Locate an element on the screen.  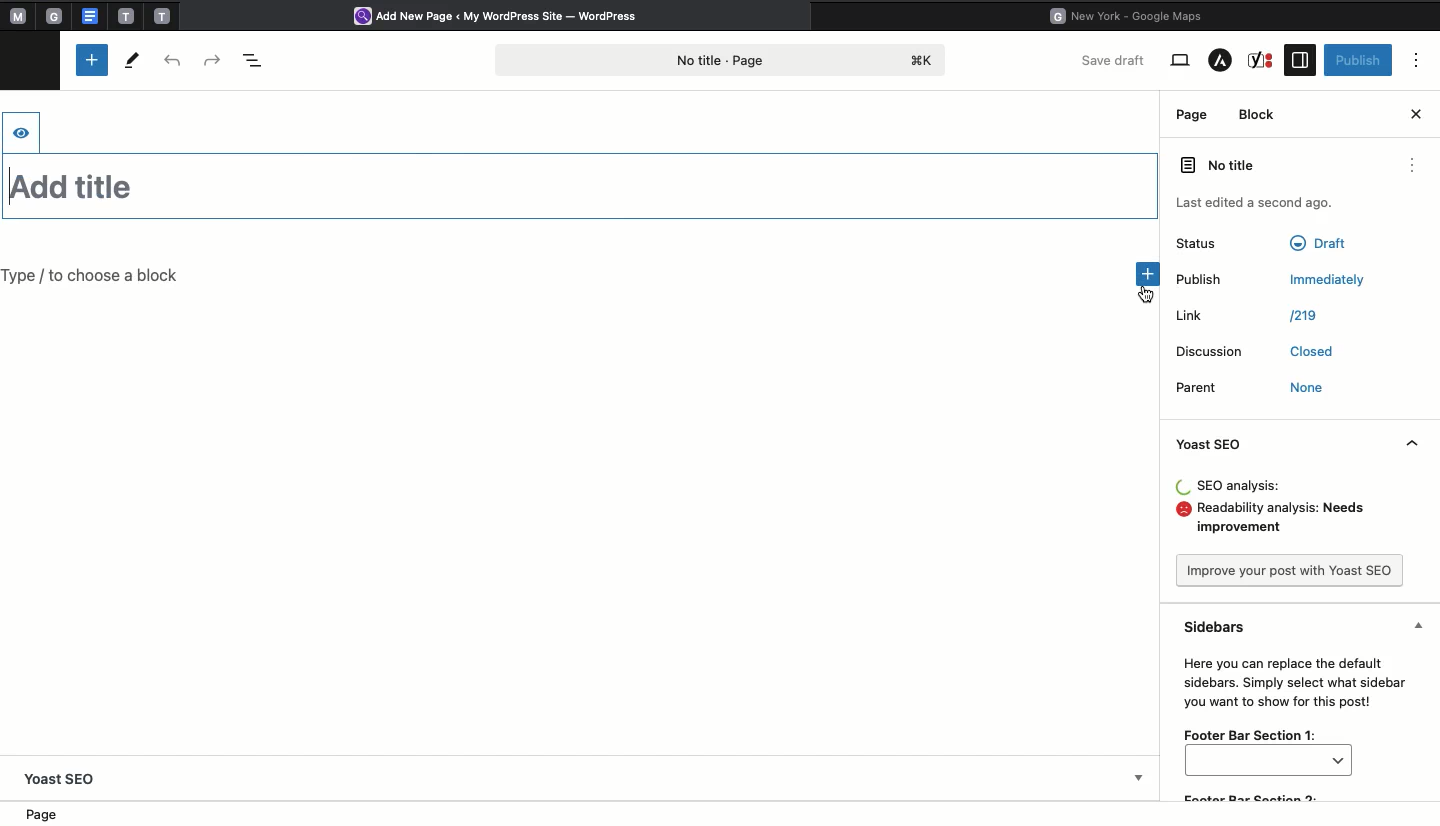
Discussion is located at coordinates (1255, 352).